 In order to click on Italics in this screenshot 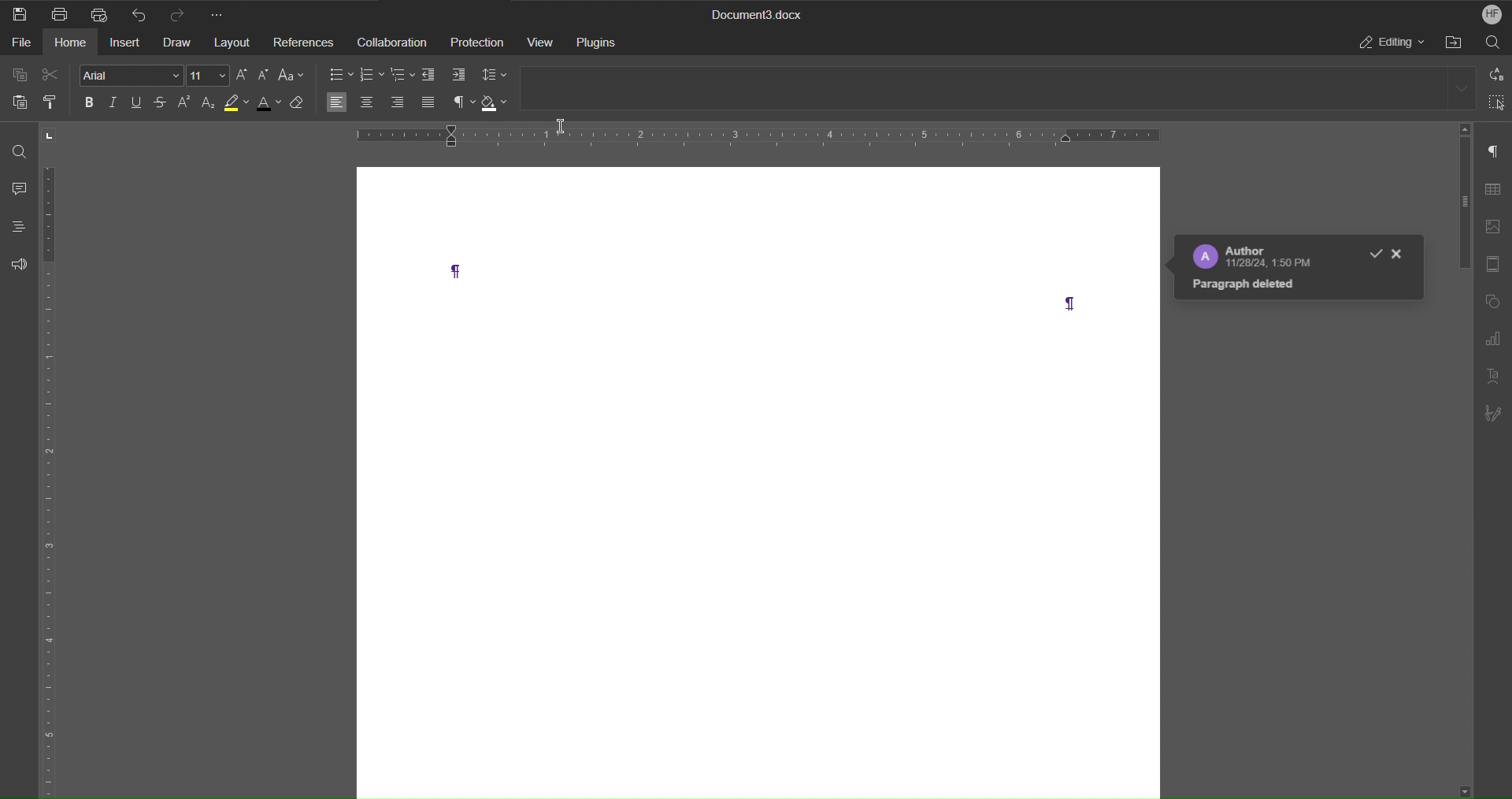, I will do `click(113, 102)`.